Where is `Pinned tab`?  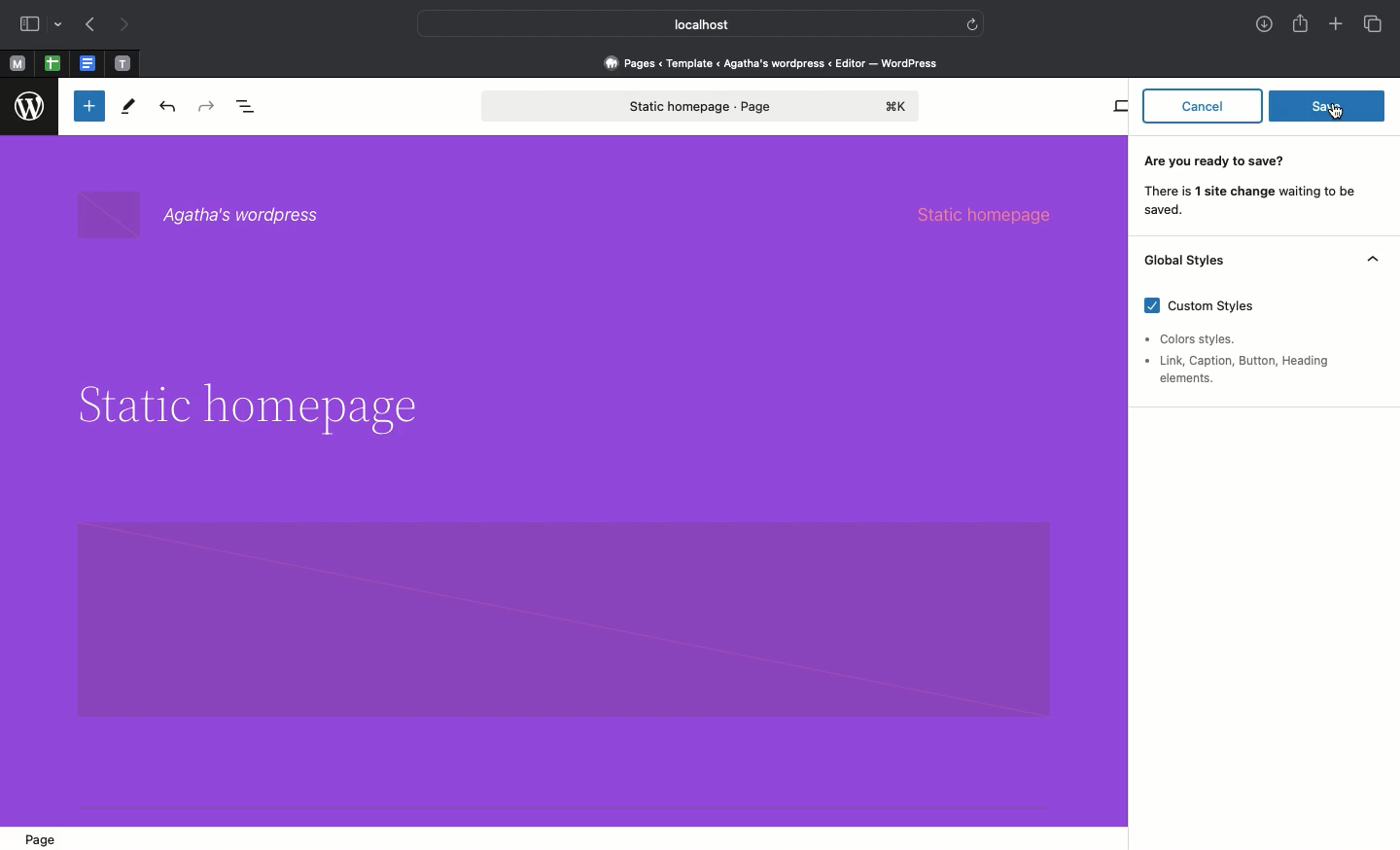 Pinned tab is located at coordinates (89, 64).